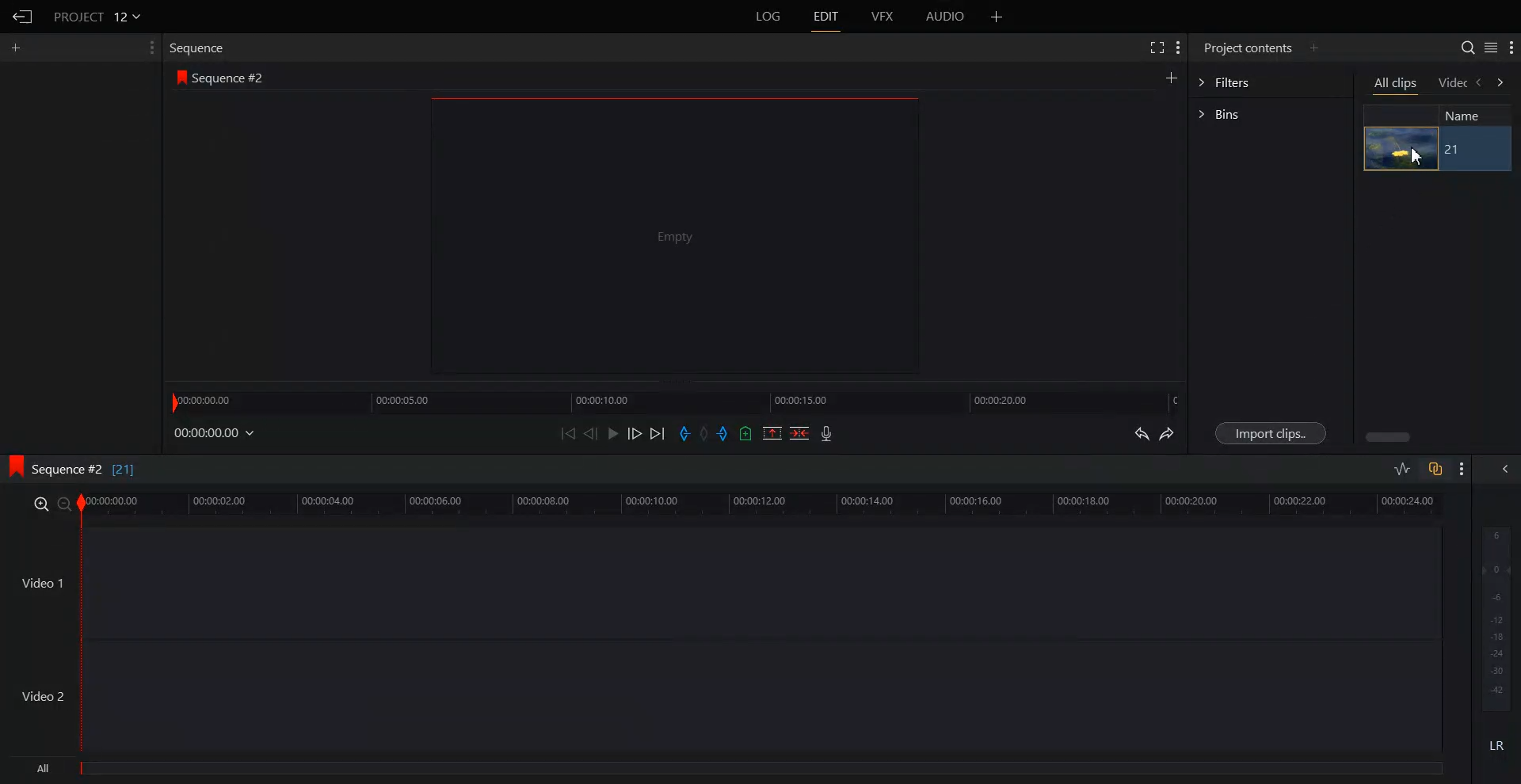 The width and height of the screenshot is (1521, 784). Describe the element at coordinates (1470, 115) in the screenshot. I see `Name` at that location.